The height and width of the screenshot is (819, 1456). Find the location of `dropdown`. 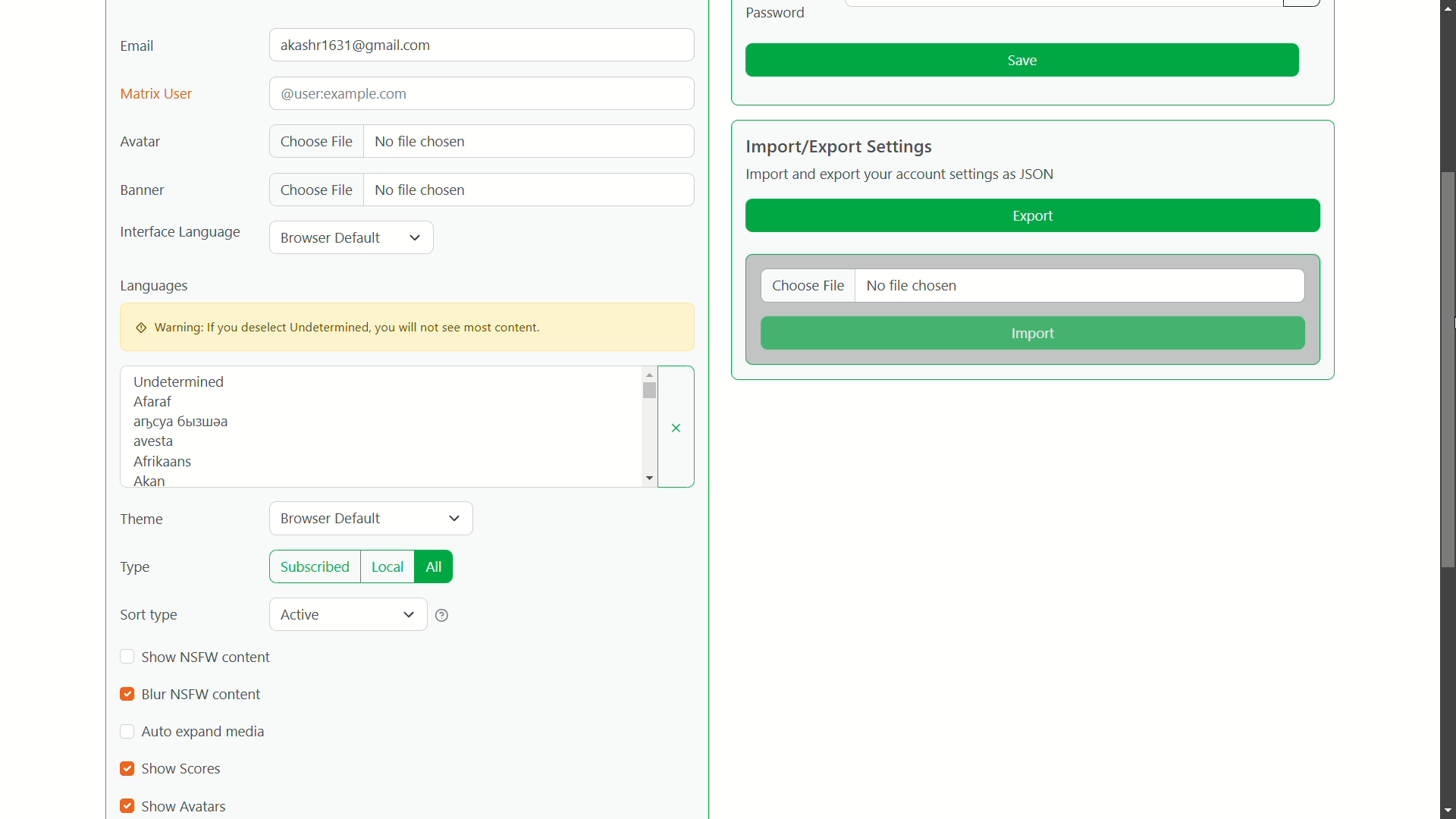

dropdown is located at coordinates (454, 519).